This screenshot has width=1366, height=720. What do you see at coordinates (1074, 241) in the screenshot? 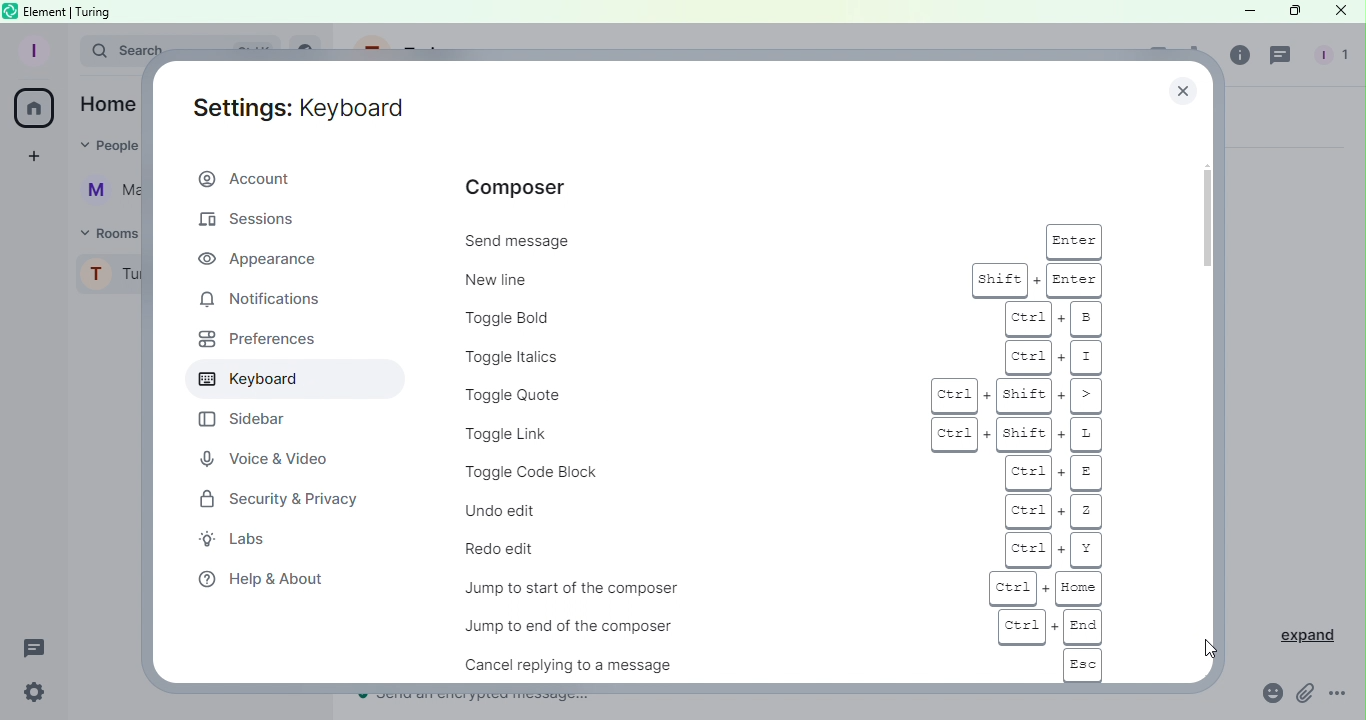
I see `enter` at bounding box center [1074, 241].